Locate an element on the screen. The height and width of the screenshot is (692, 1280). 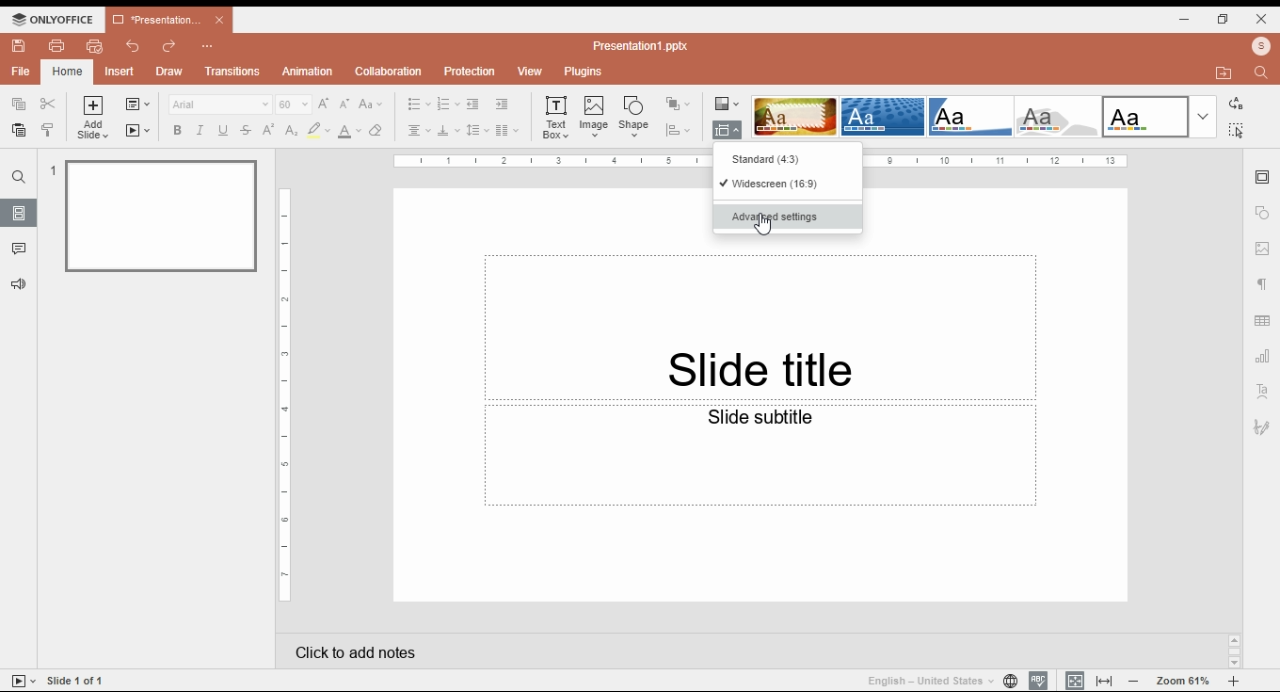
fit to window is located at coordinates (1106, 680).